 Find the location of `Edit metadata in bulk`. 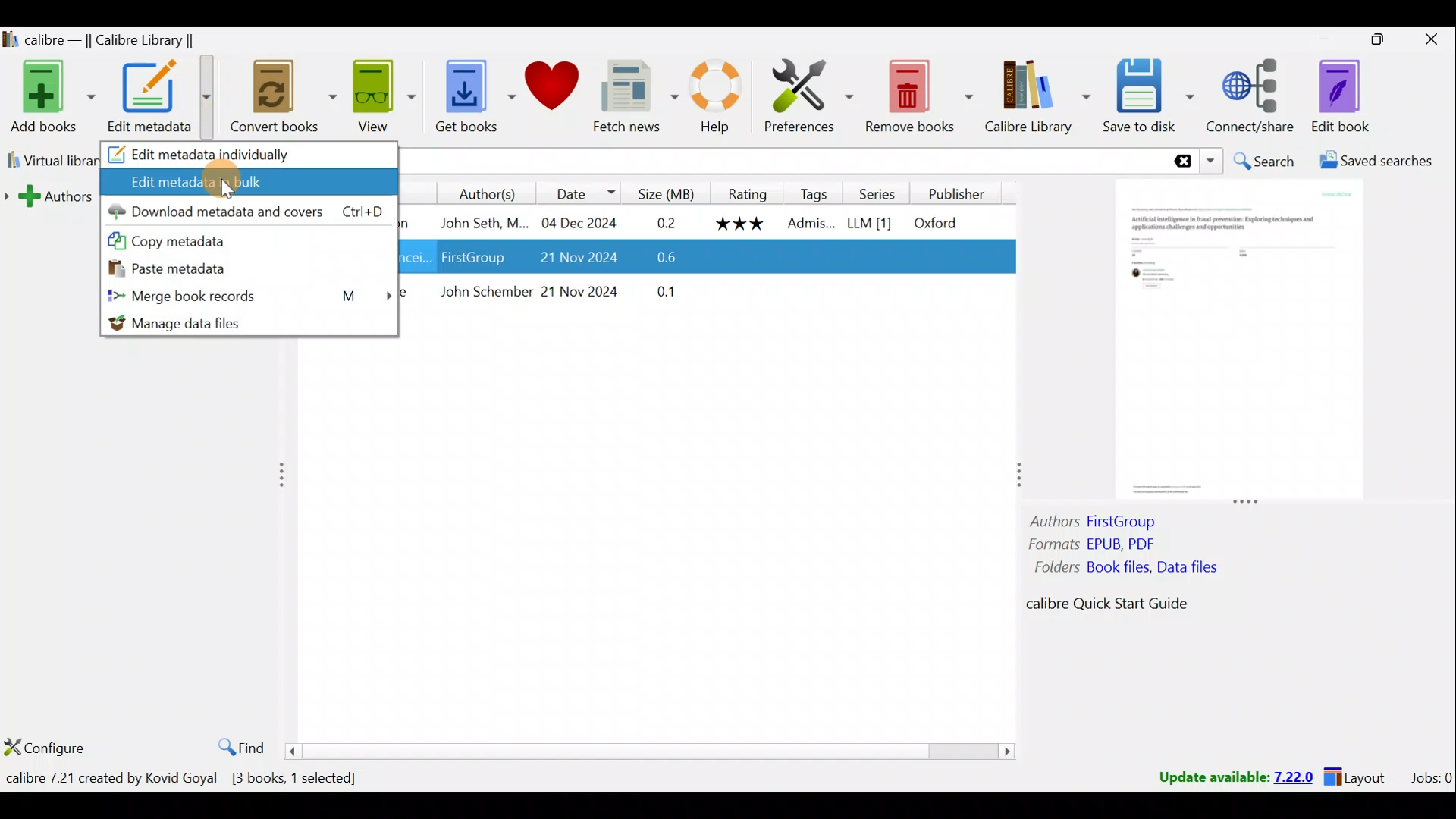

Edit metadata in bulk is located at coordinates (249, 181).